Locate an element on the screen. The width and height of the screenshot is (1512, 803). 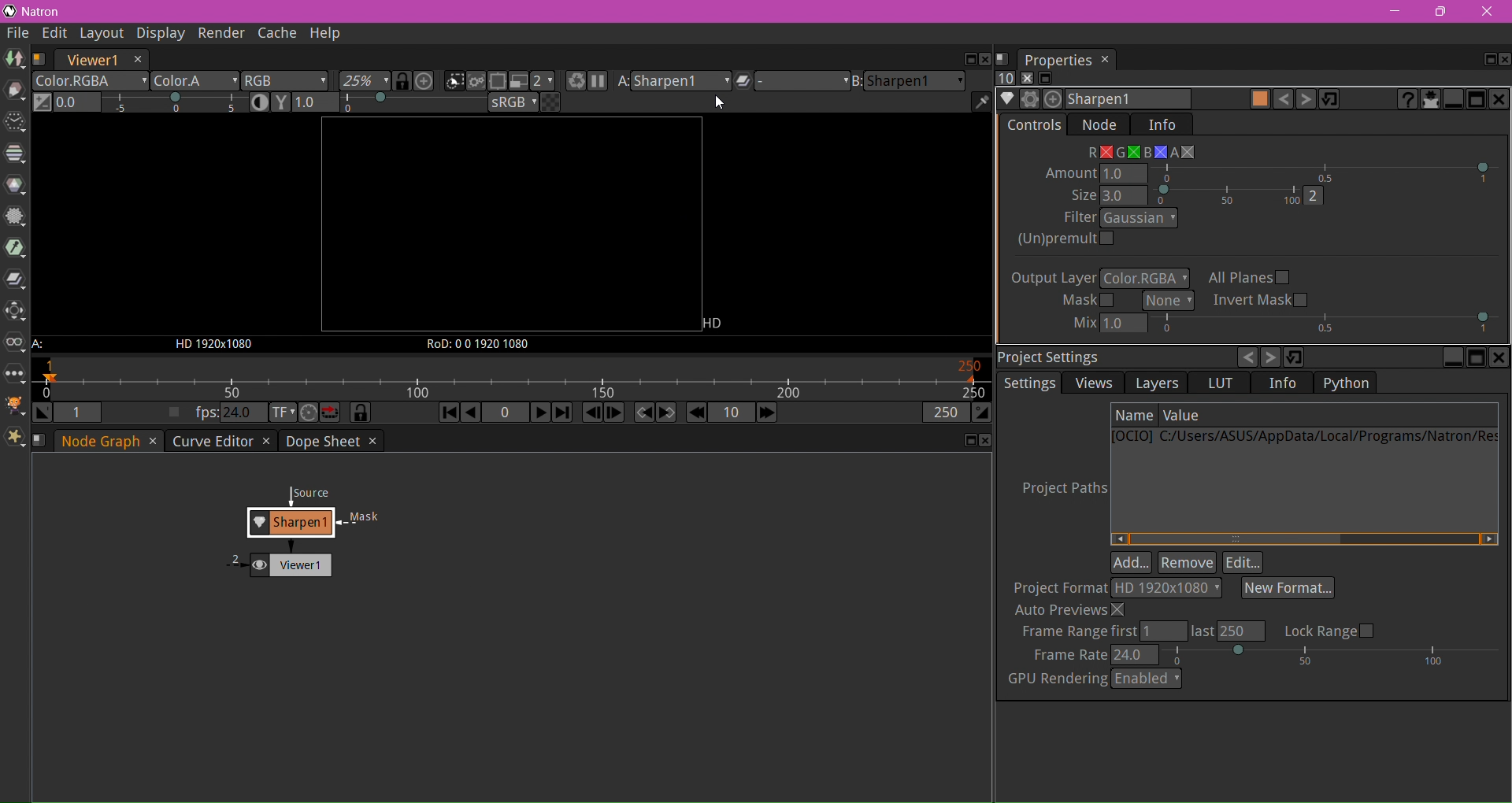
Show/Hide all parameters without modifications is located at coordinates (1432, 101).